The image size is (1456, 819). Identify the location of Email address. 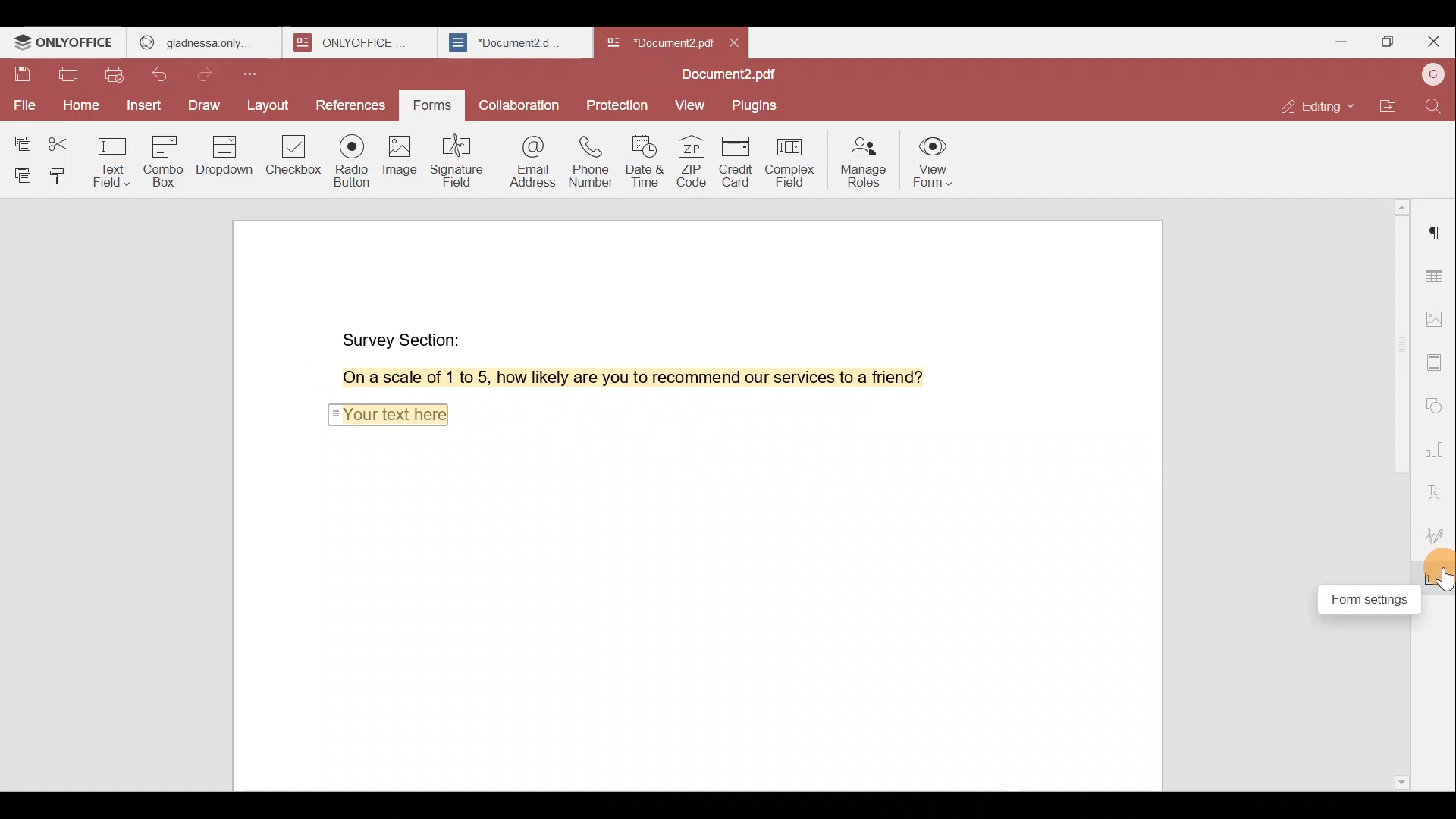
(526, 158).